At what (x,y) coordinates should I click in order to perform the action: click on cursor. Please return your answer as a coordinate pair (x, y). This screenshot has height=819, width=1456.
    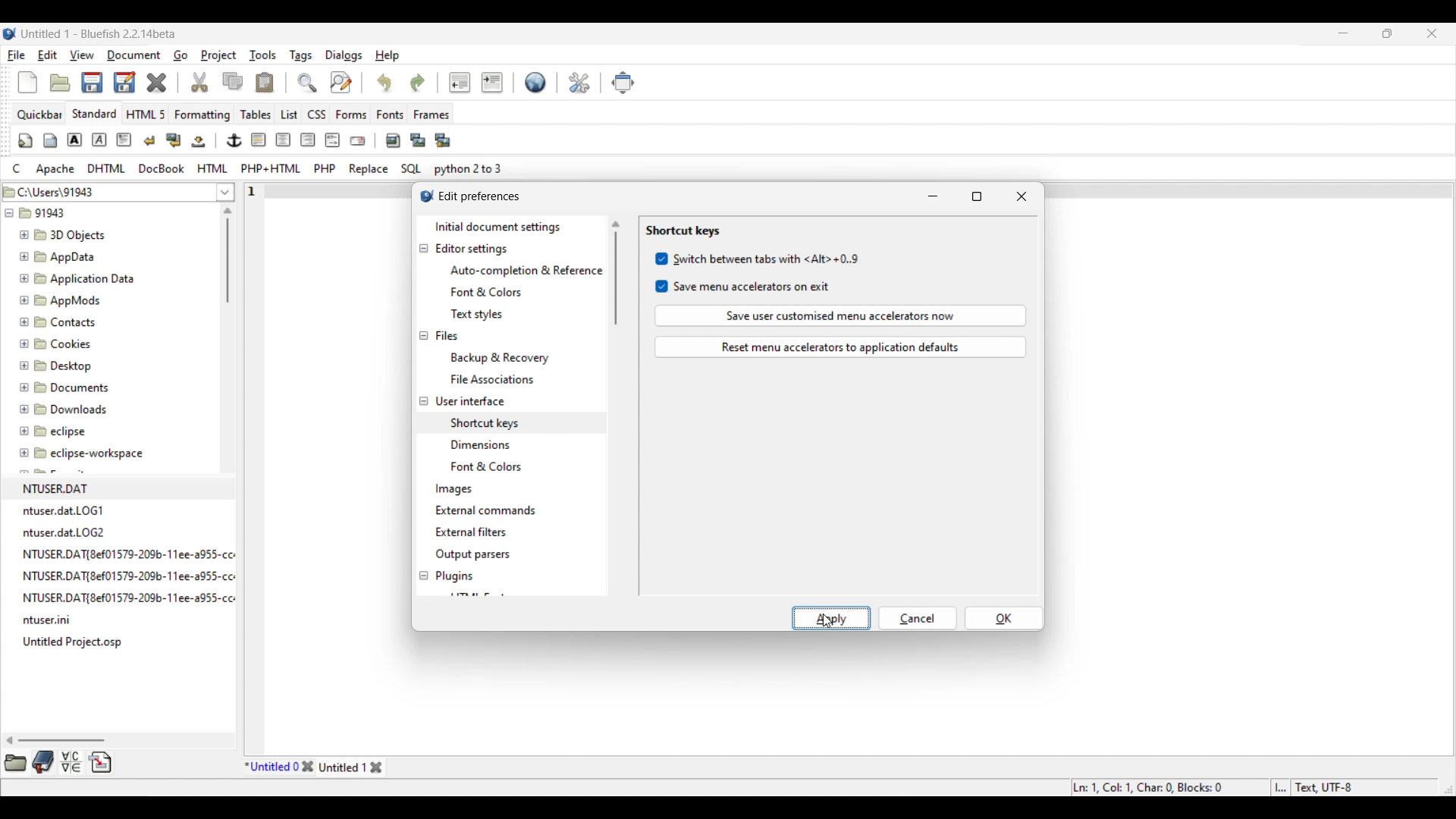
    Looking at the image, I should click on (830, 626).